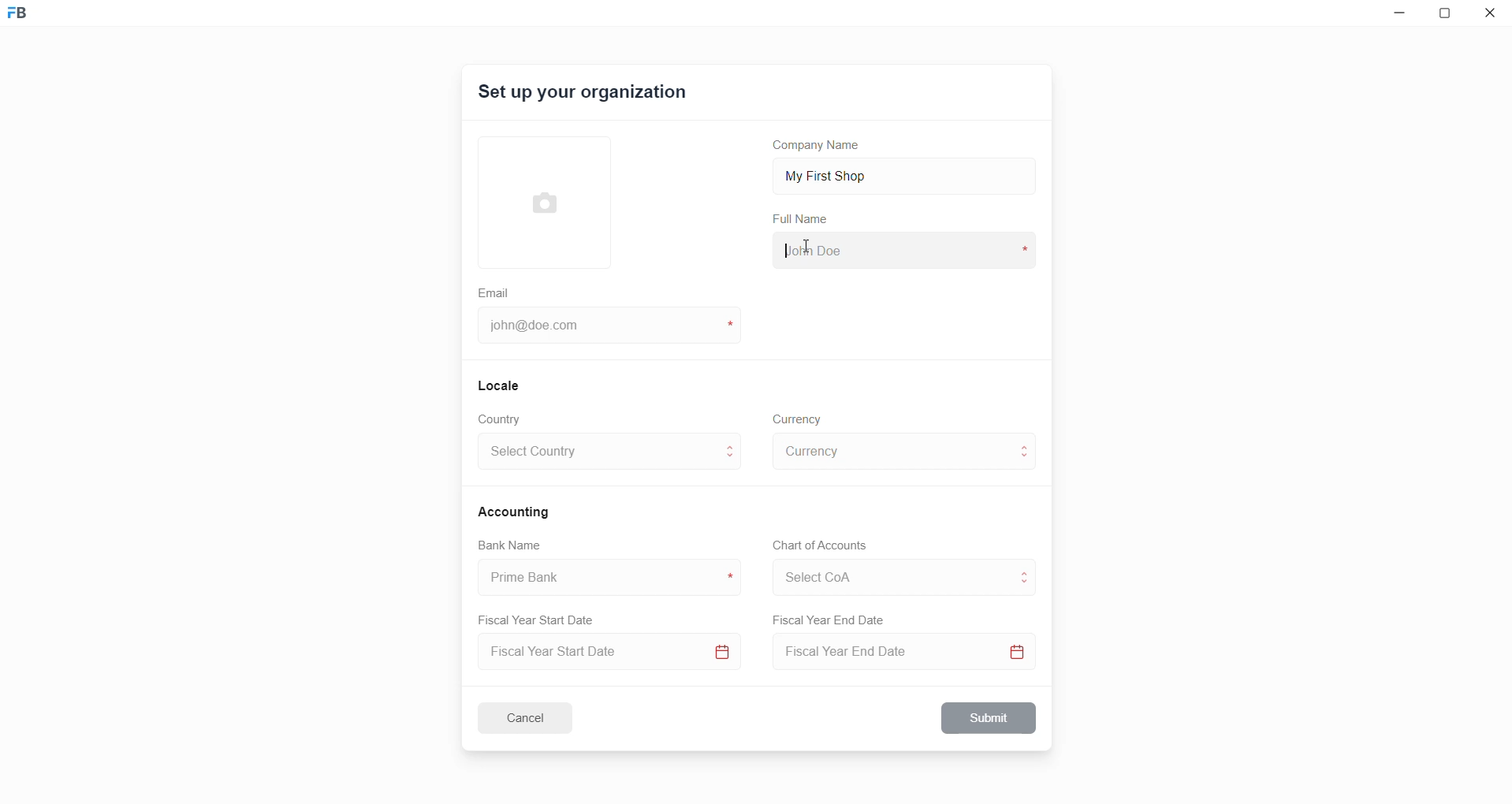 The width and height of the screenshot is (1512, 804). Describe the element at coordinates (806, 250) in the screenshot. I see `cursor` at that location.